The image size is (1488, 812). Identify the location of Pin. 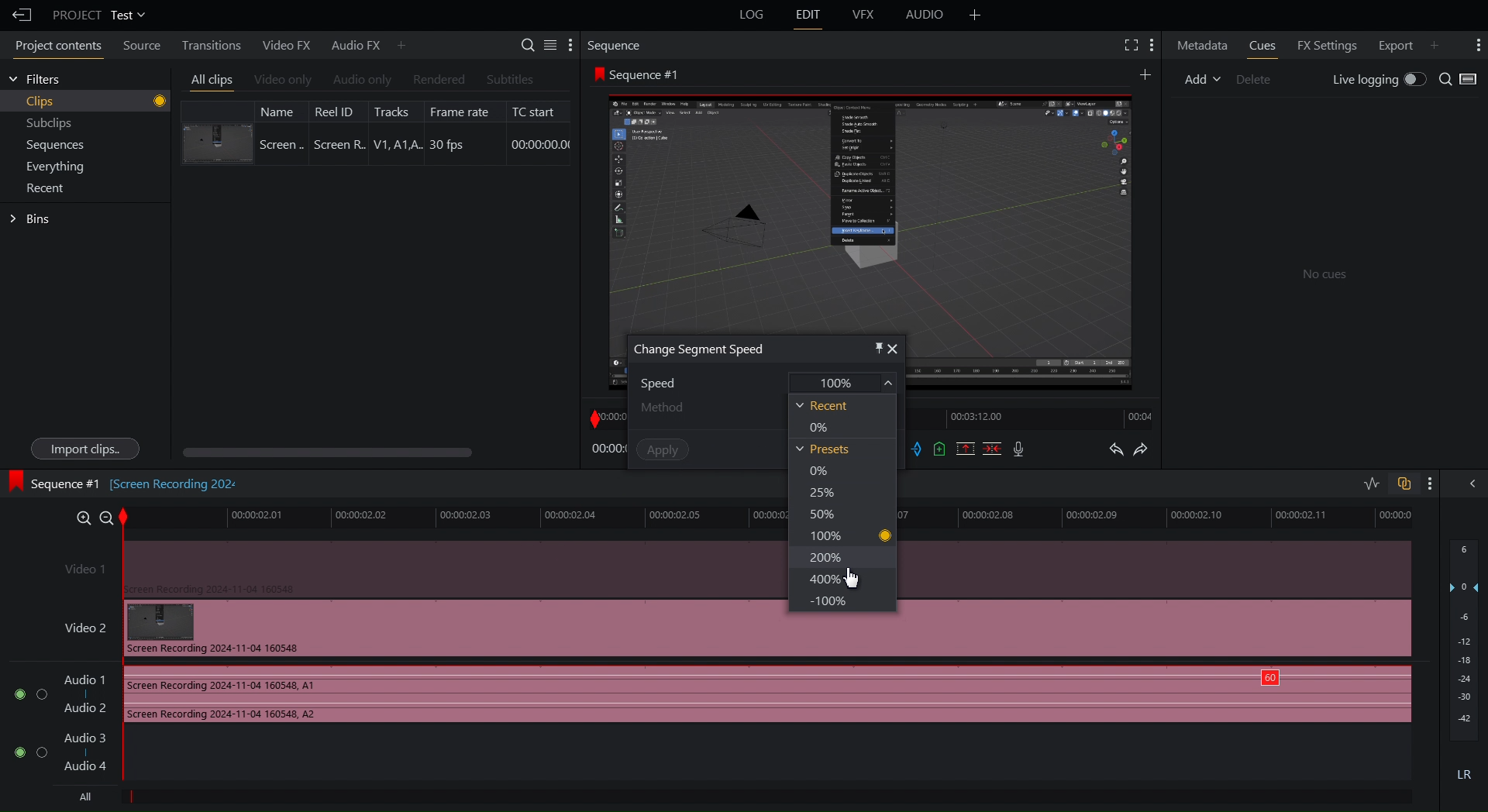
(866, 346).